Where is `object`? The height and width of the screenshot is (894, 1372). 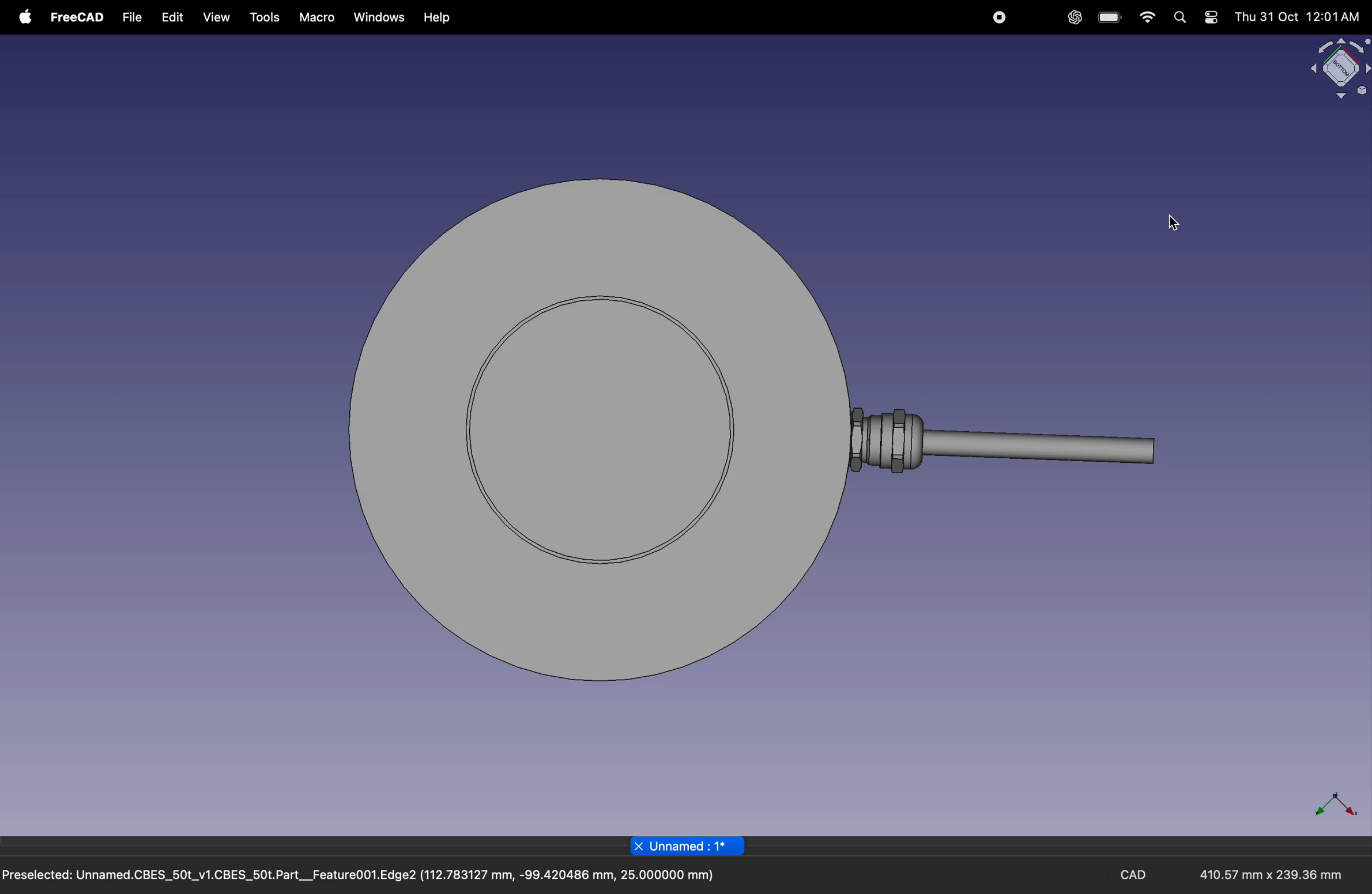 object is located at coordinates (749, 435).